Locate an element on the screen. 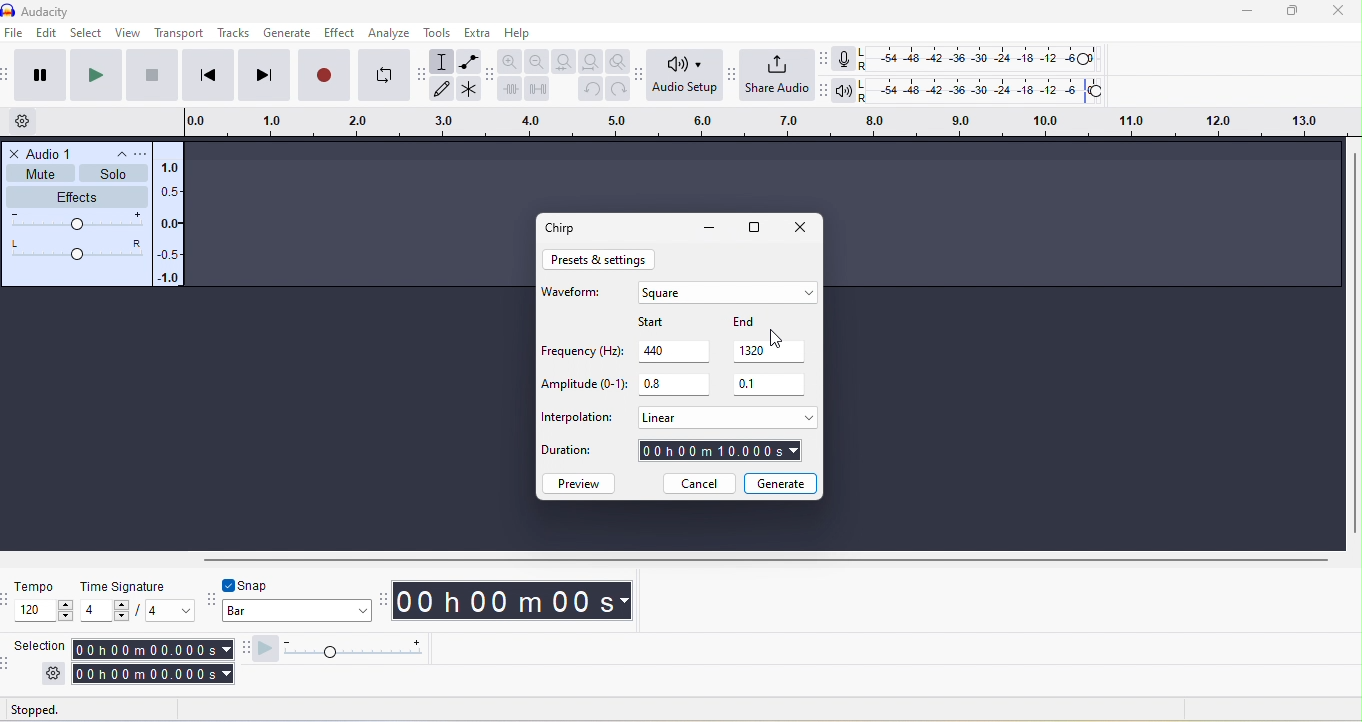  timeline option is located at coordinates (31, 121).